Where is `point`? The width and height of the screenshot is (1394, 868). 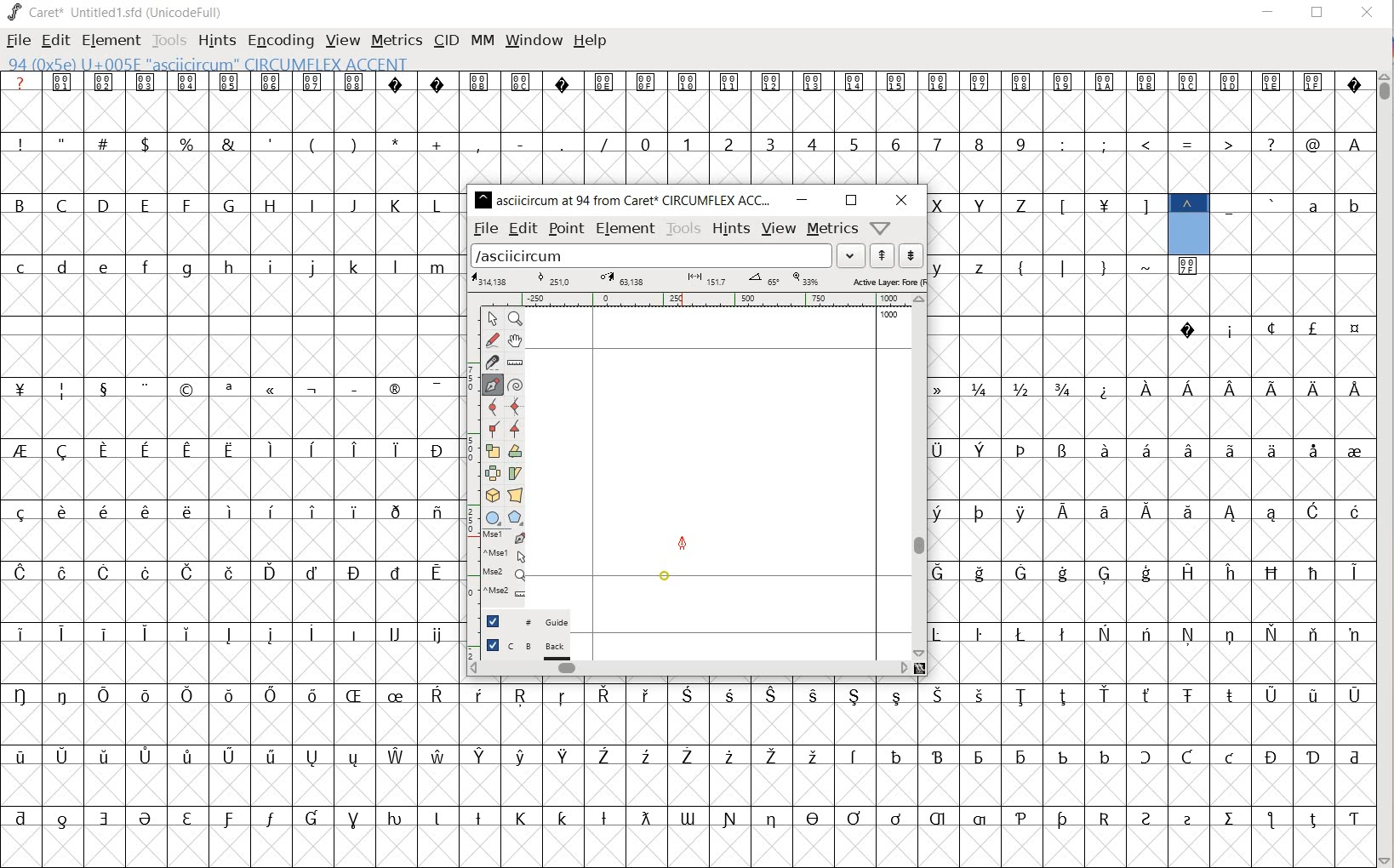 point is located at coordinates (566, 227).